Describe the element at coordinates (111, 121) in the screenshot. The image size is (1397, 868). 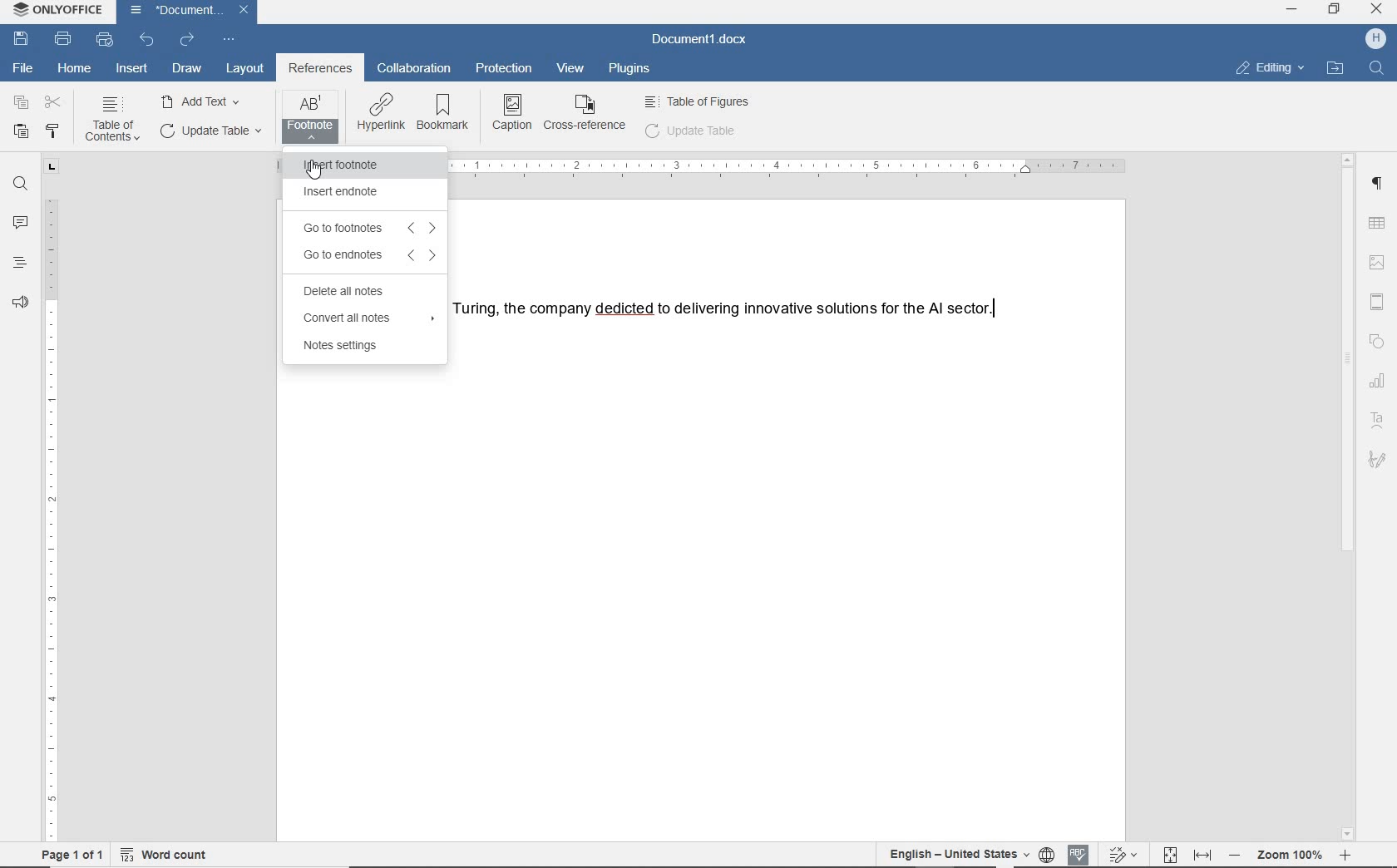
I see `table of contents` at that location.